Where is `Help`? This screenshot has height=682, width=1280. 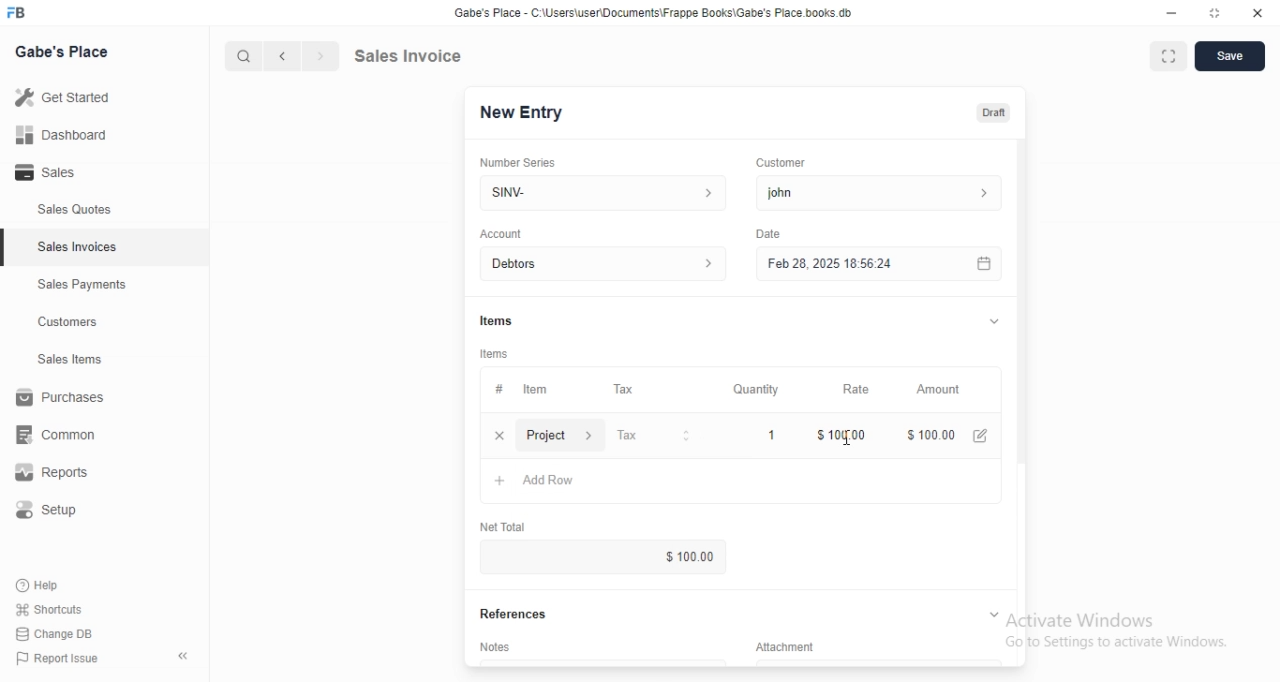 Help is located at coordinates (57, 584).